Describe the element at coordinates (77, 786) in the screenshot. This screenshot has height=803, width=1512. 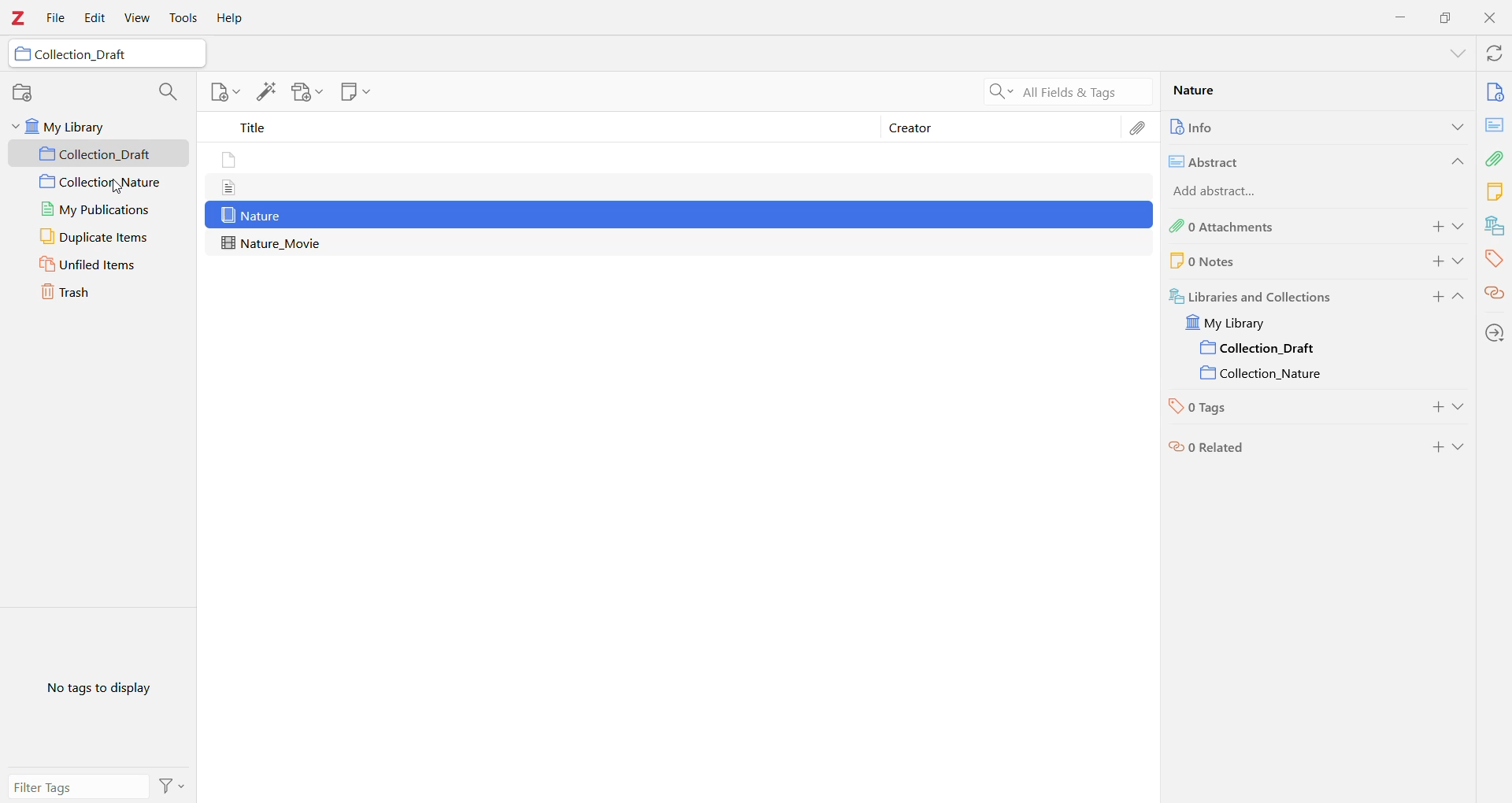
I see `Filter Tags` at that location.